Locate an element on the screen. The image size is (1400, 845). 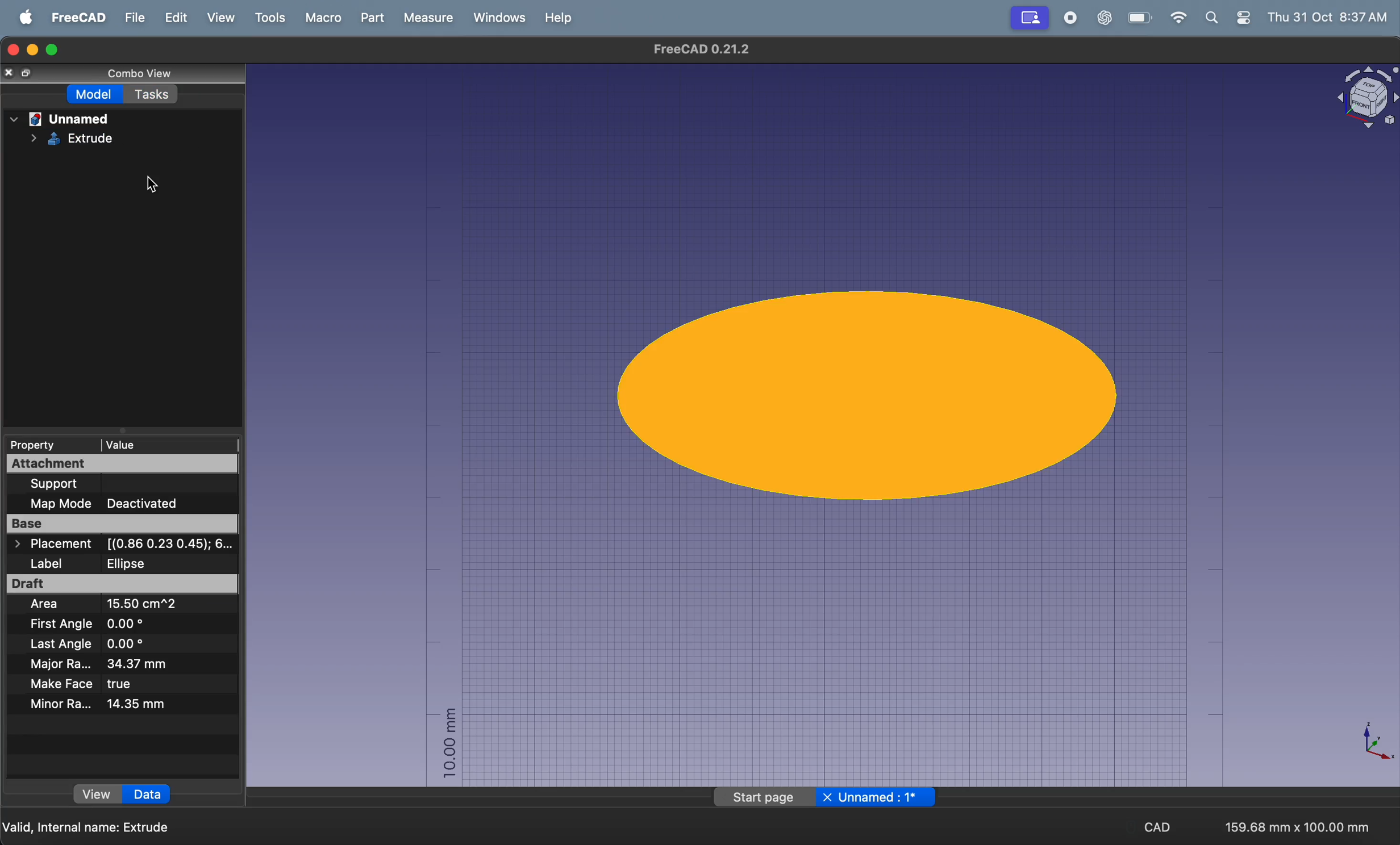
base is located at coordinates (124, 525).